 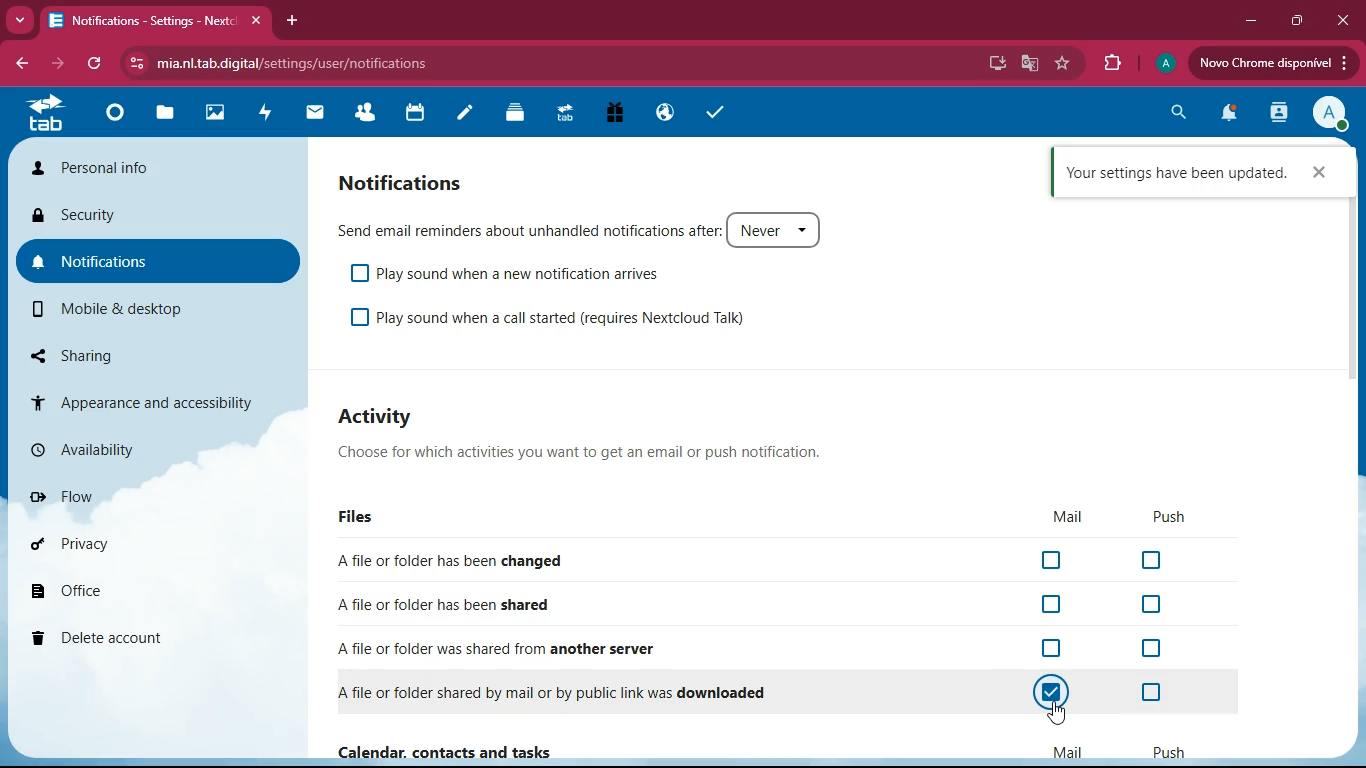 I want to click on office, so click(x=119, y=584).